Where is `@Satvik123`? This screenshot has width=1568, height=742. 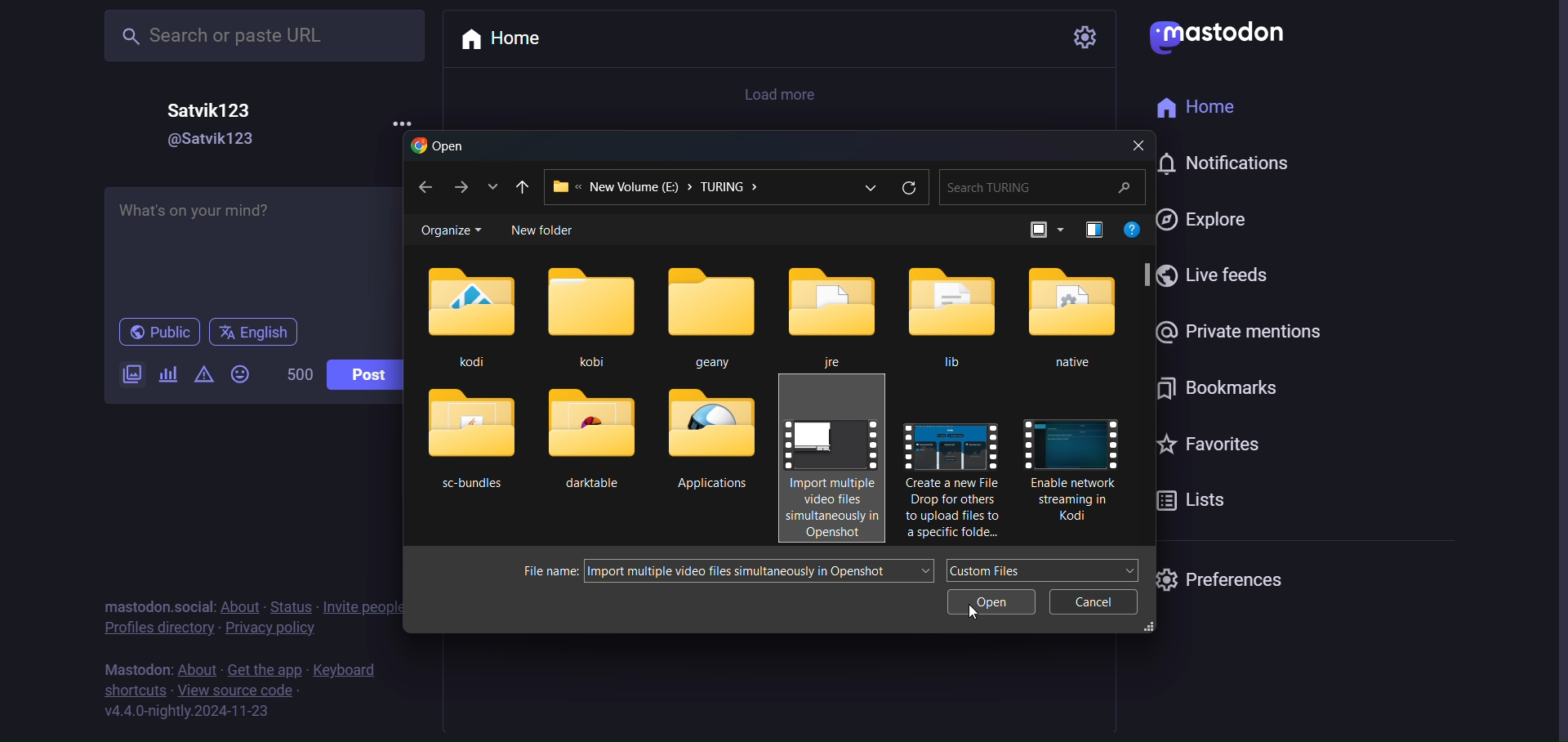 @Satvik123 is located at coordinates (221, 140).